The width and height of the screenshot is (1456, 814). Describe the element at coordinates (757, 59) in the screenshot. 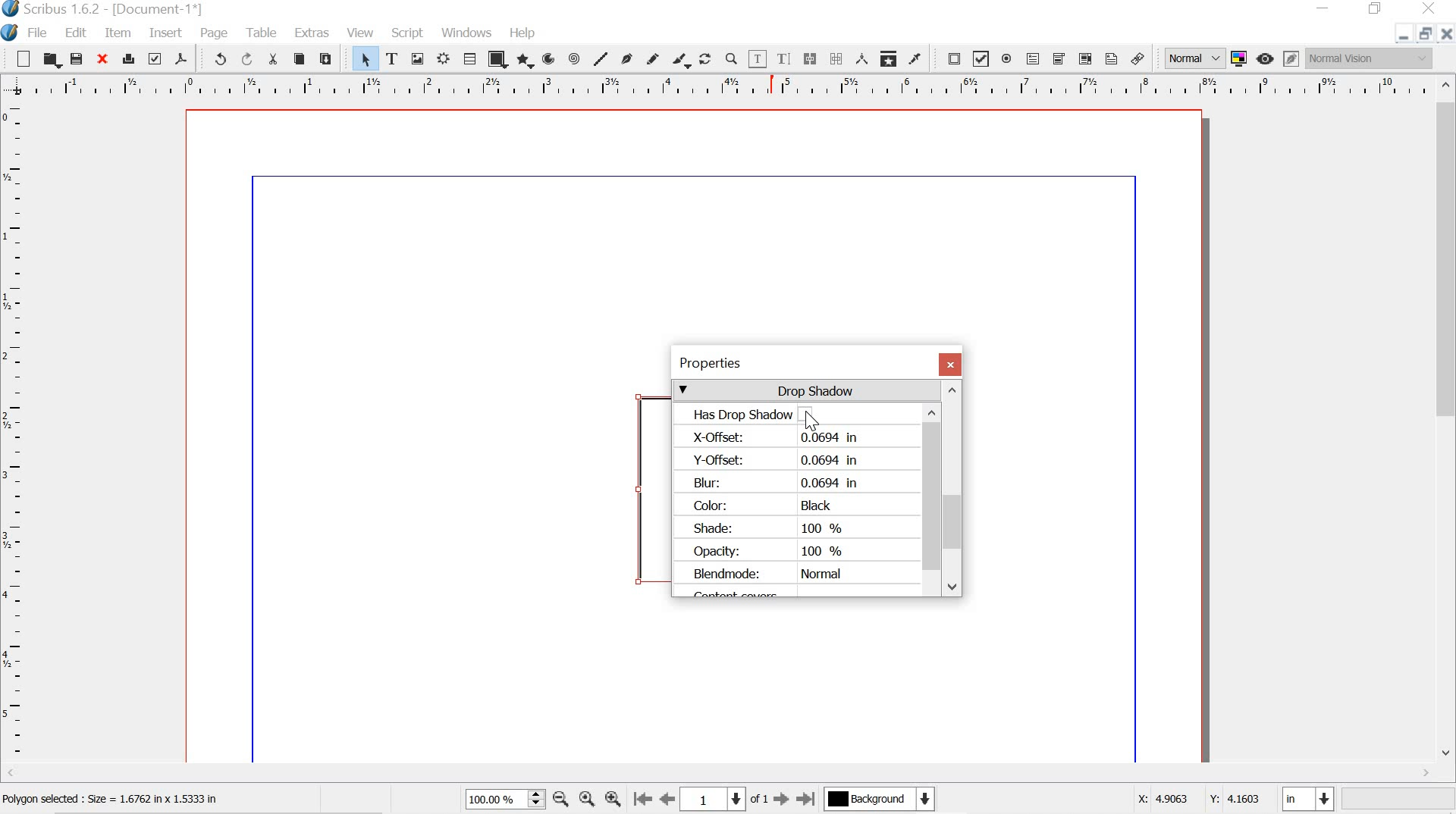

I see `edit contents of frame` at that location.